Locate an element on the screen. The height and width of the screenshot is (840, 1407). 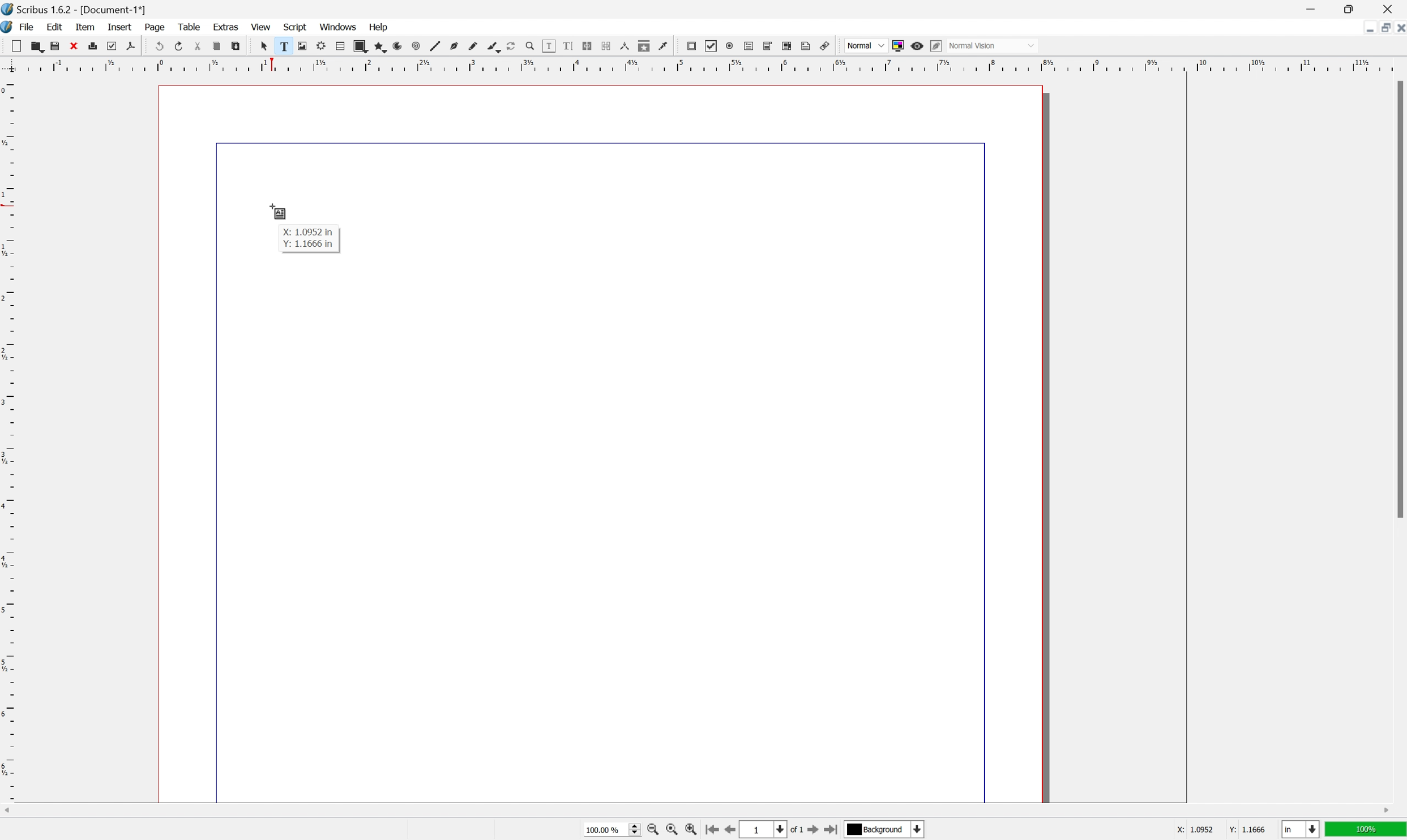
rotate item is located at coordinates (511, 46).